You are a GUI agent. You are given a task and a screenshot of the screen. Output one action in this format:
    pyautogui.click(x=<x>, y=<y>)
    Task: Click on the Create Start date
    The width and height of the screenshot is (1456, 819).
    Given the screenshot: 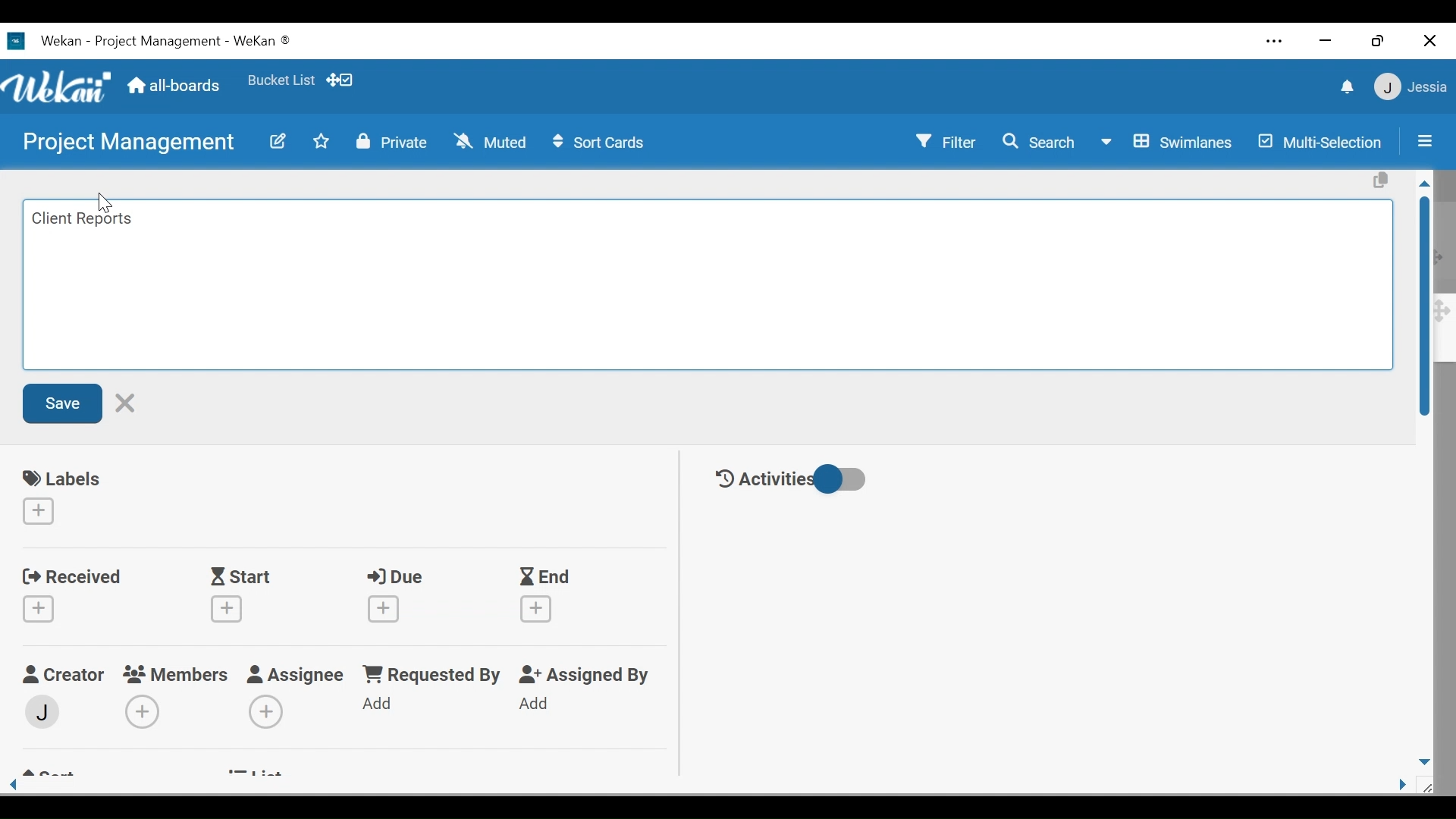 What is the action you would take?
    pyautogui.click(x=227, y=609)
    